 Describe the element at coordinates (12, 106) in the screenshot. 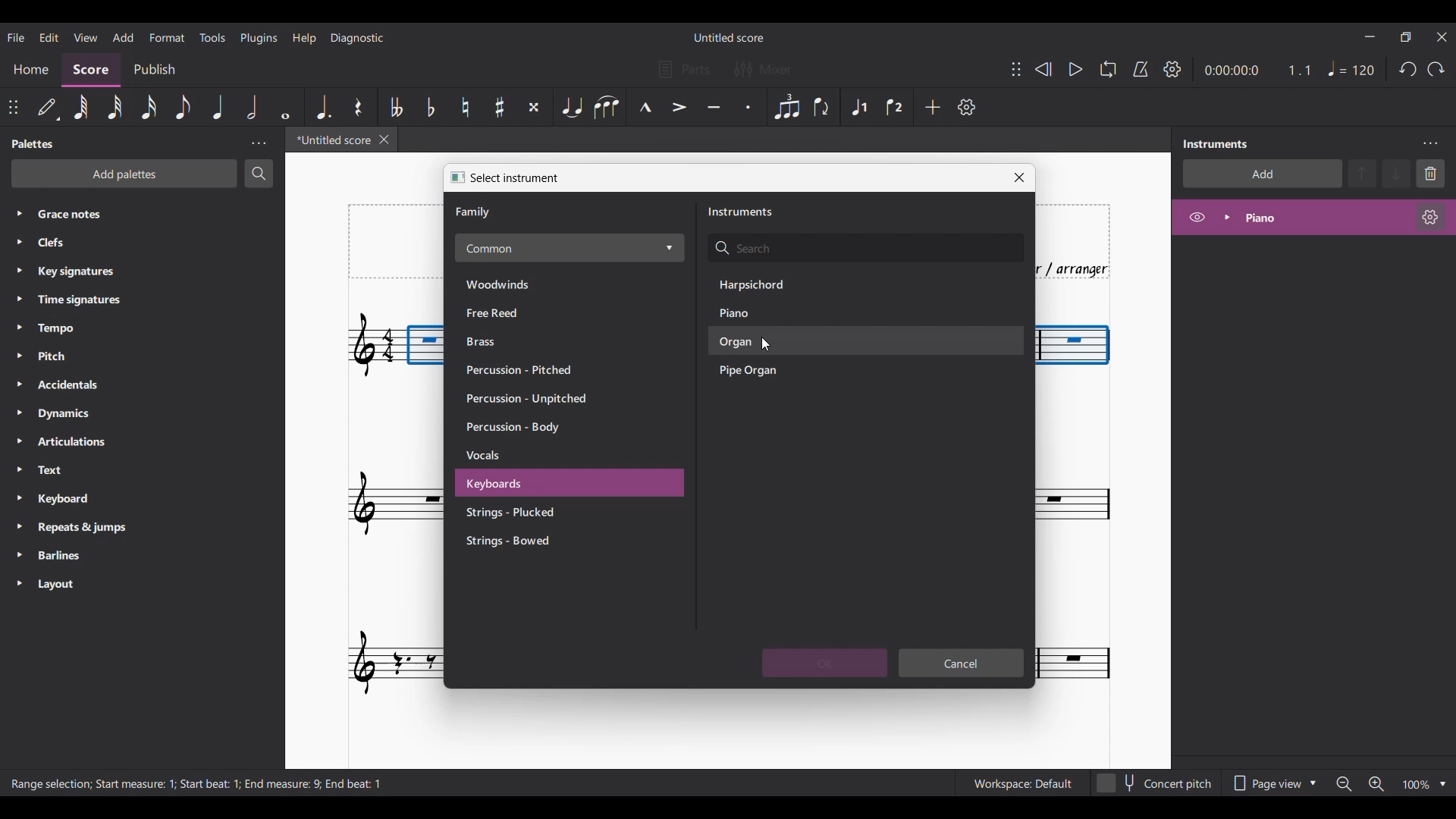

I see `Change position of toolbar attached` at that location.